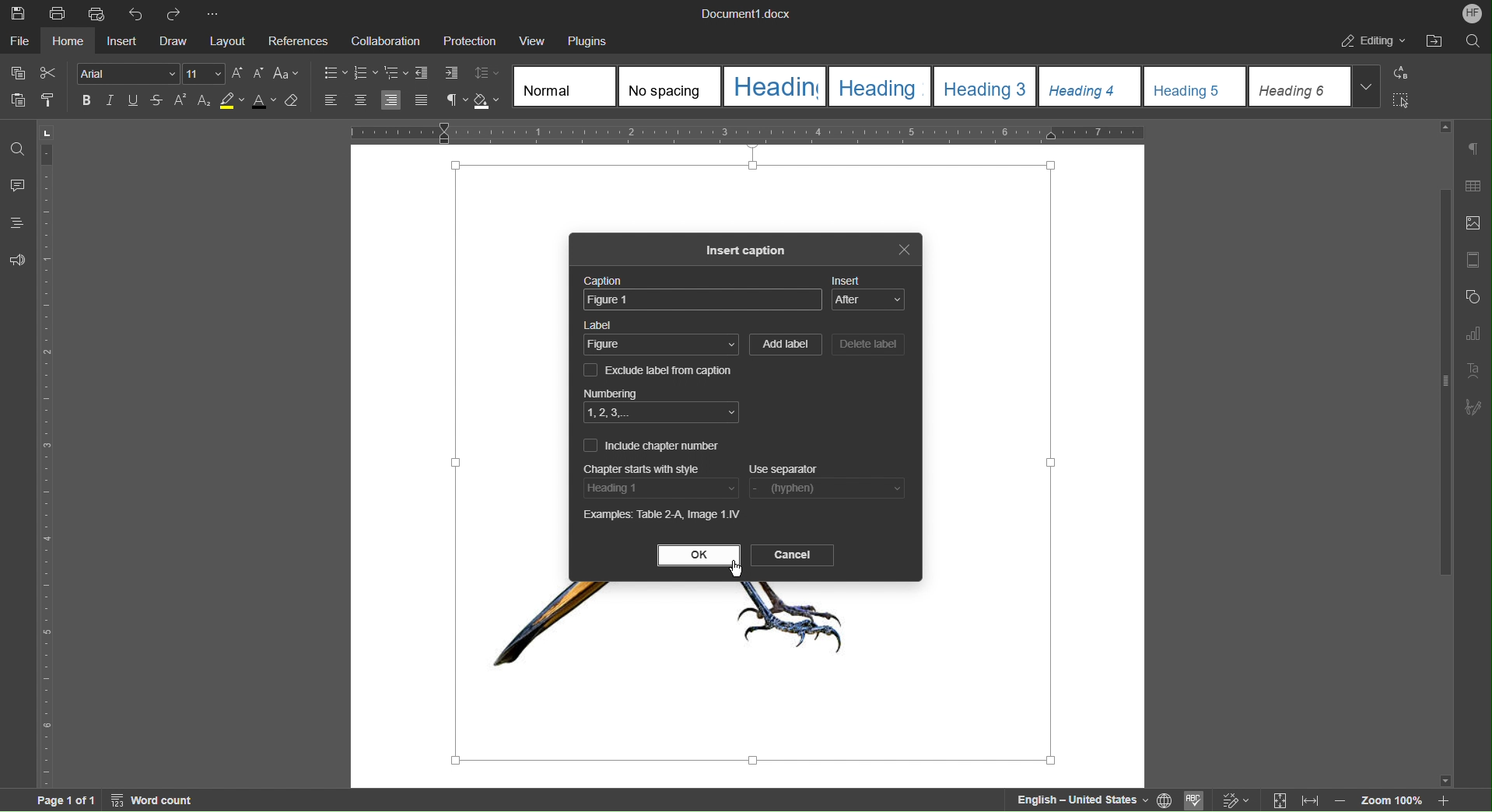 The image size is (1492, 812). I want to click on Draw, so click(170, 43).